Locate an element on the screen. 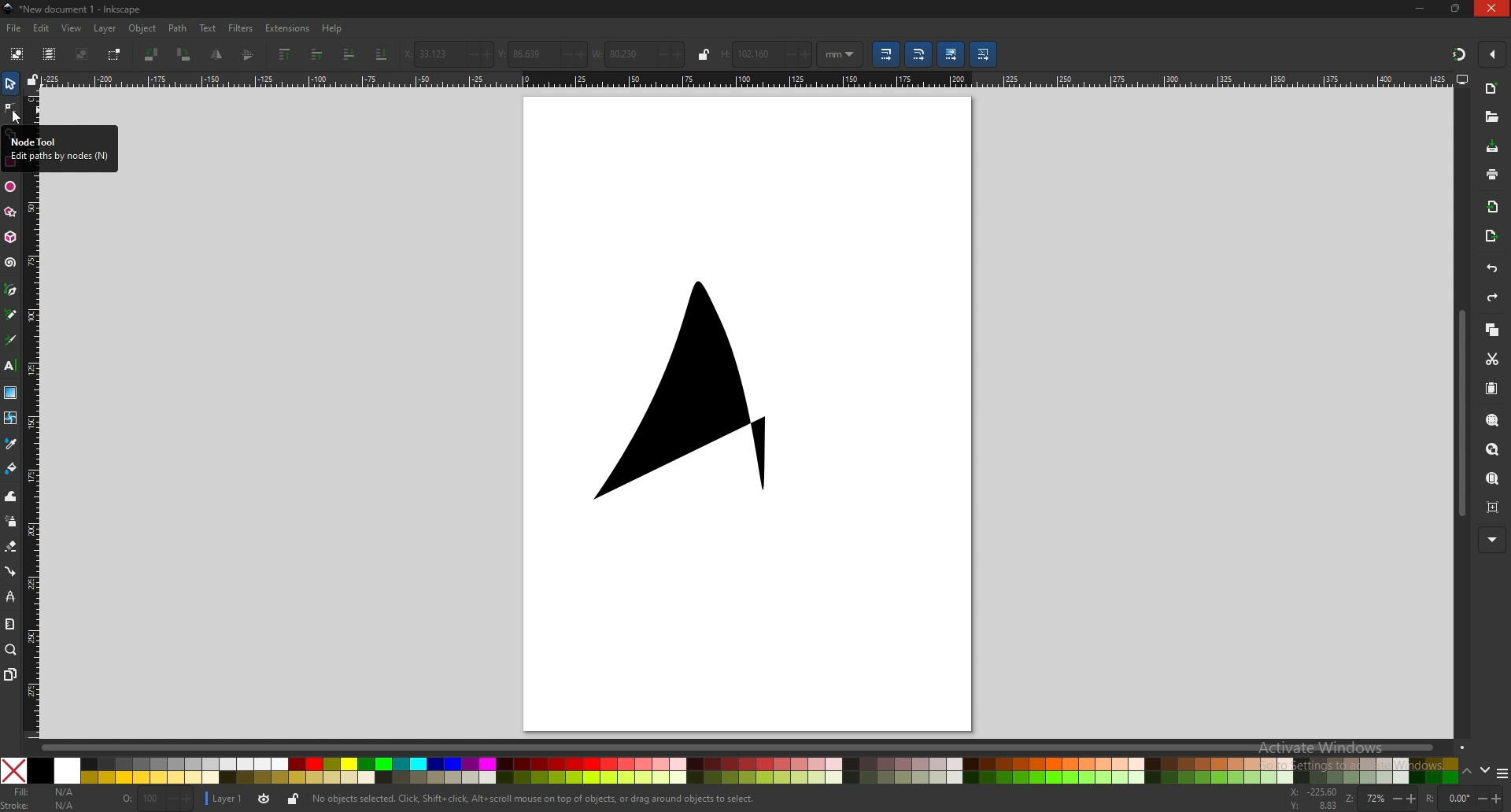  fill is located at coordinates (40, 792).